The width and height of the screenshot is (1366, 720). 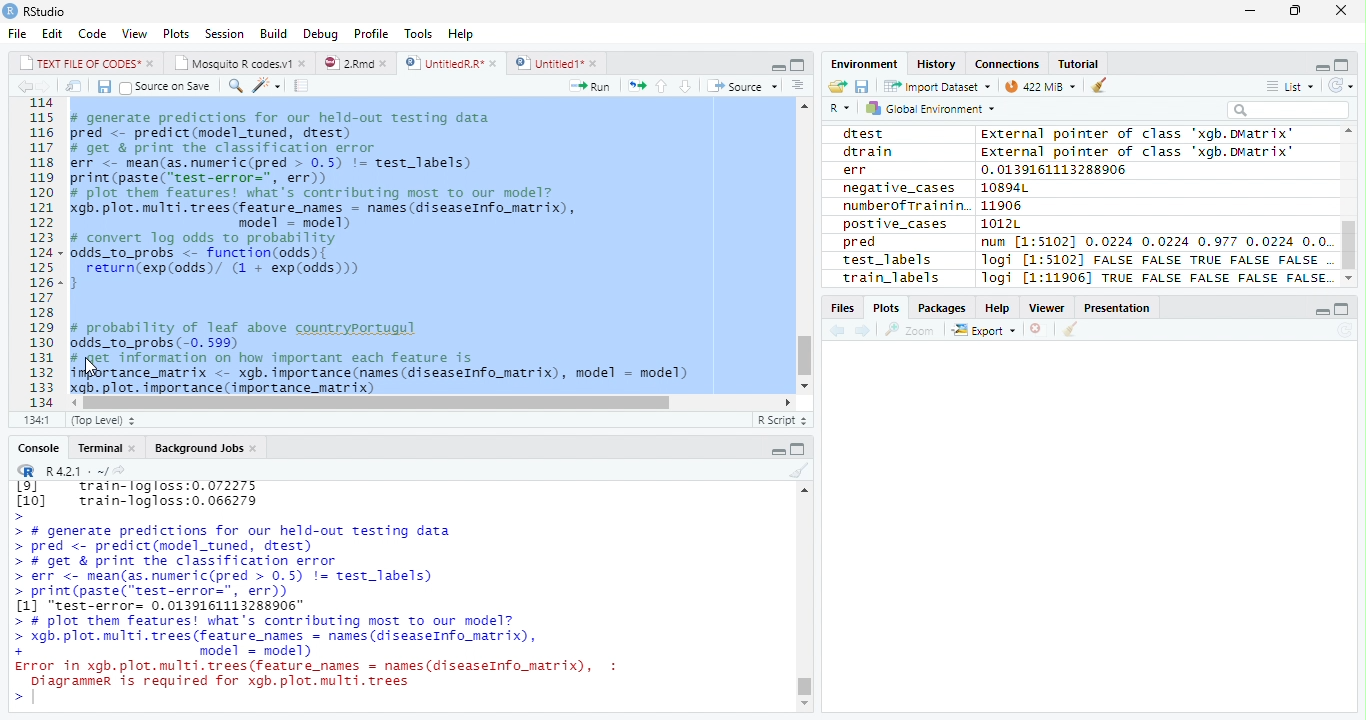 I want to click on Minimize, so click(x=1318, y=65).